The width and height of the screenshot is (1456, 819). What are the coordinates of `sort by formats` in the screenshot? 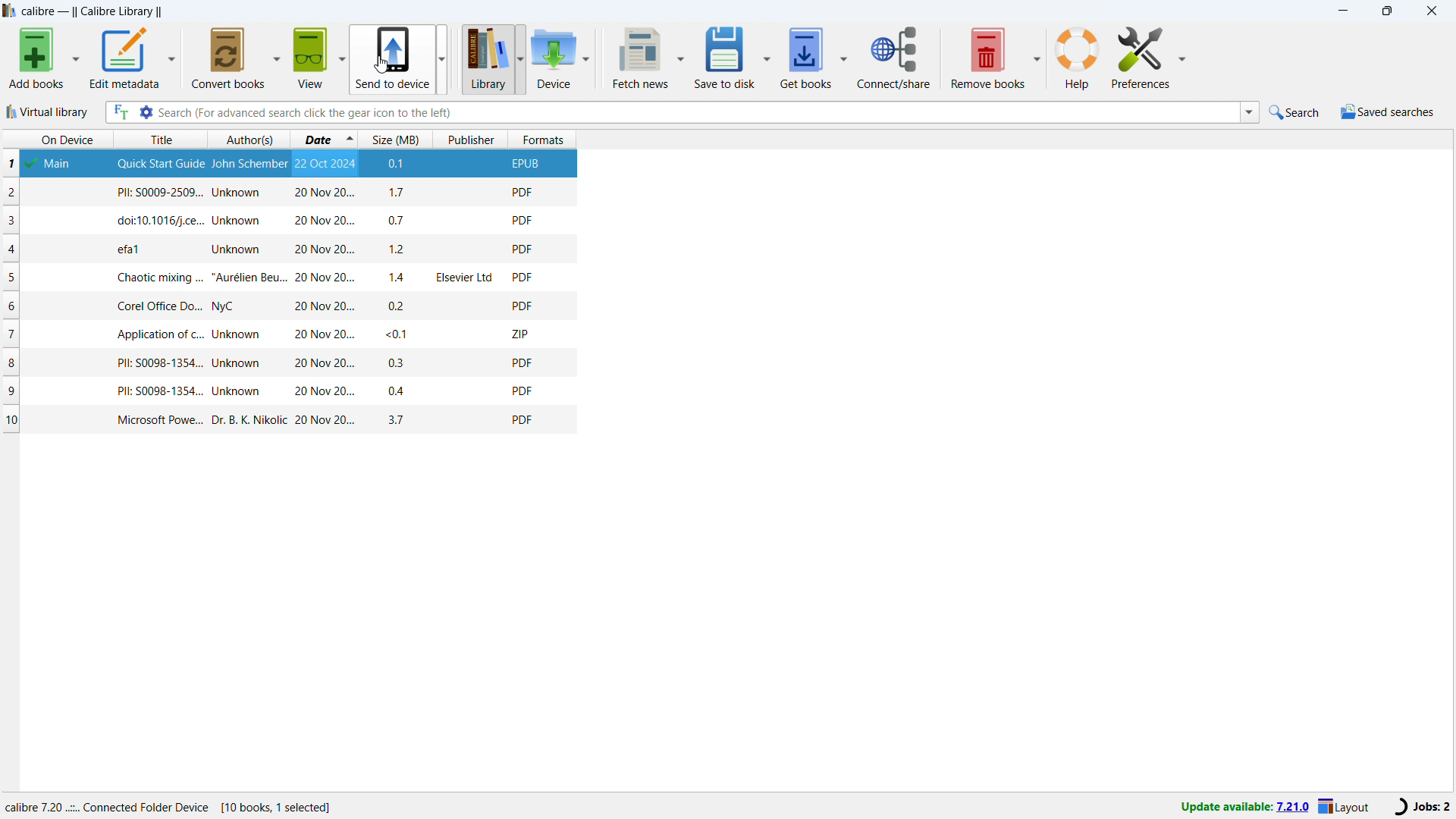 It's located at (544, 139).